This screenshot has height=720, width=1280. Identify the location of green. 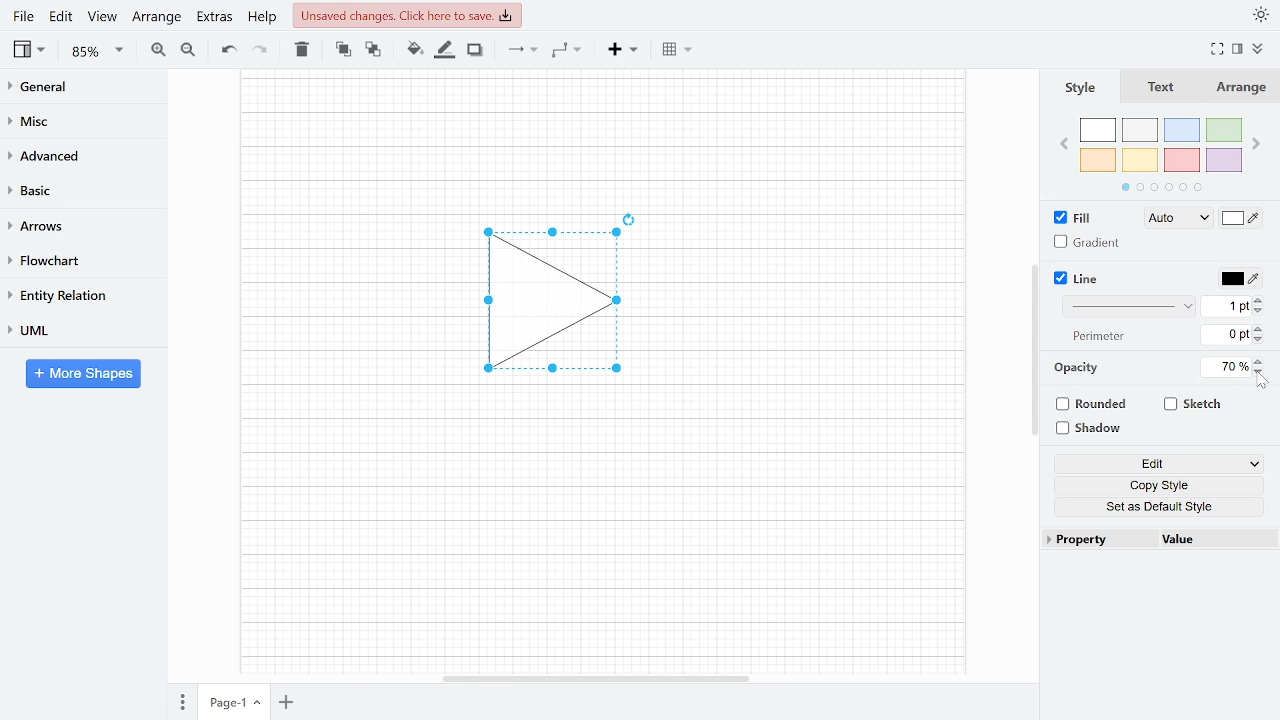
(1225, 131).